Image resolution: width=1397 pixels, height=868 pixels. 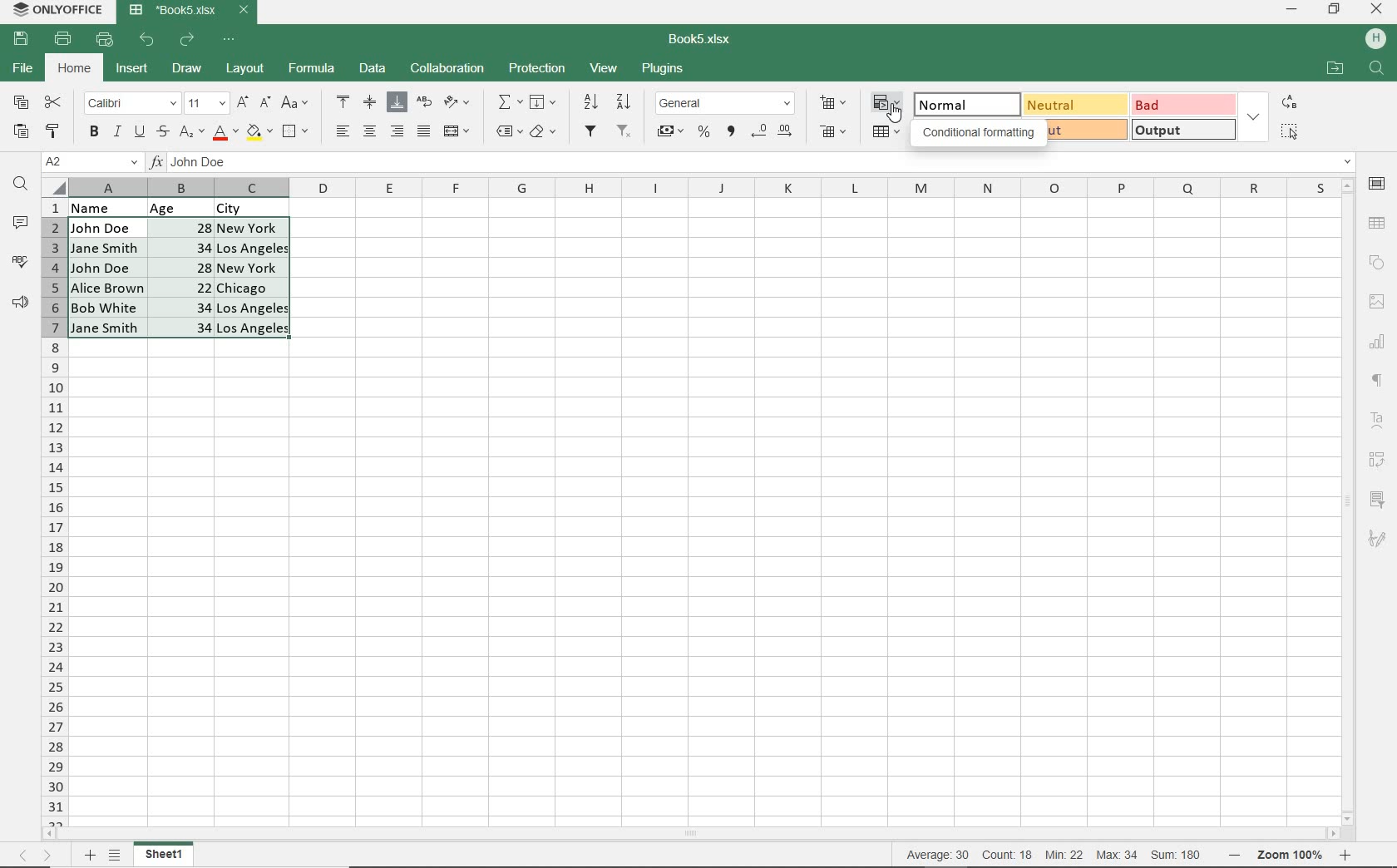 I want to click on TEXT ART, so click(x=1379, y=422).